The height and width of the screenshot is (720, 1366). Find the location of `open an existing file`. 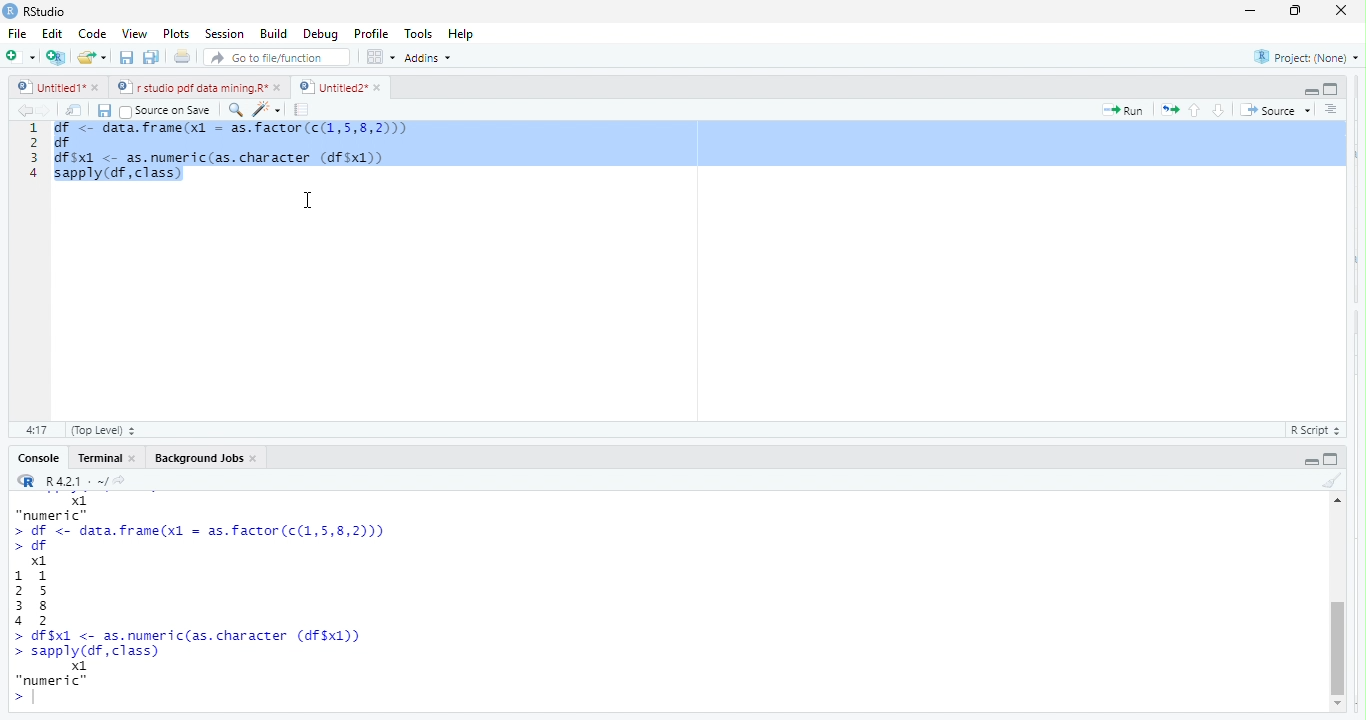

open an existing file is located at coordinates (93, 57).